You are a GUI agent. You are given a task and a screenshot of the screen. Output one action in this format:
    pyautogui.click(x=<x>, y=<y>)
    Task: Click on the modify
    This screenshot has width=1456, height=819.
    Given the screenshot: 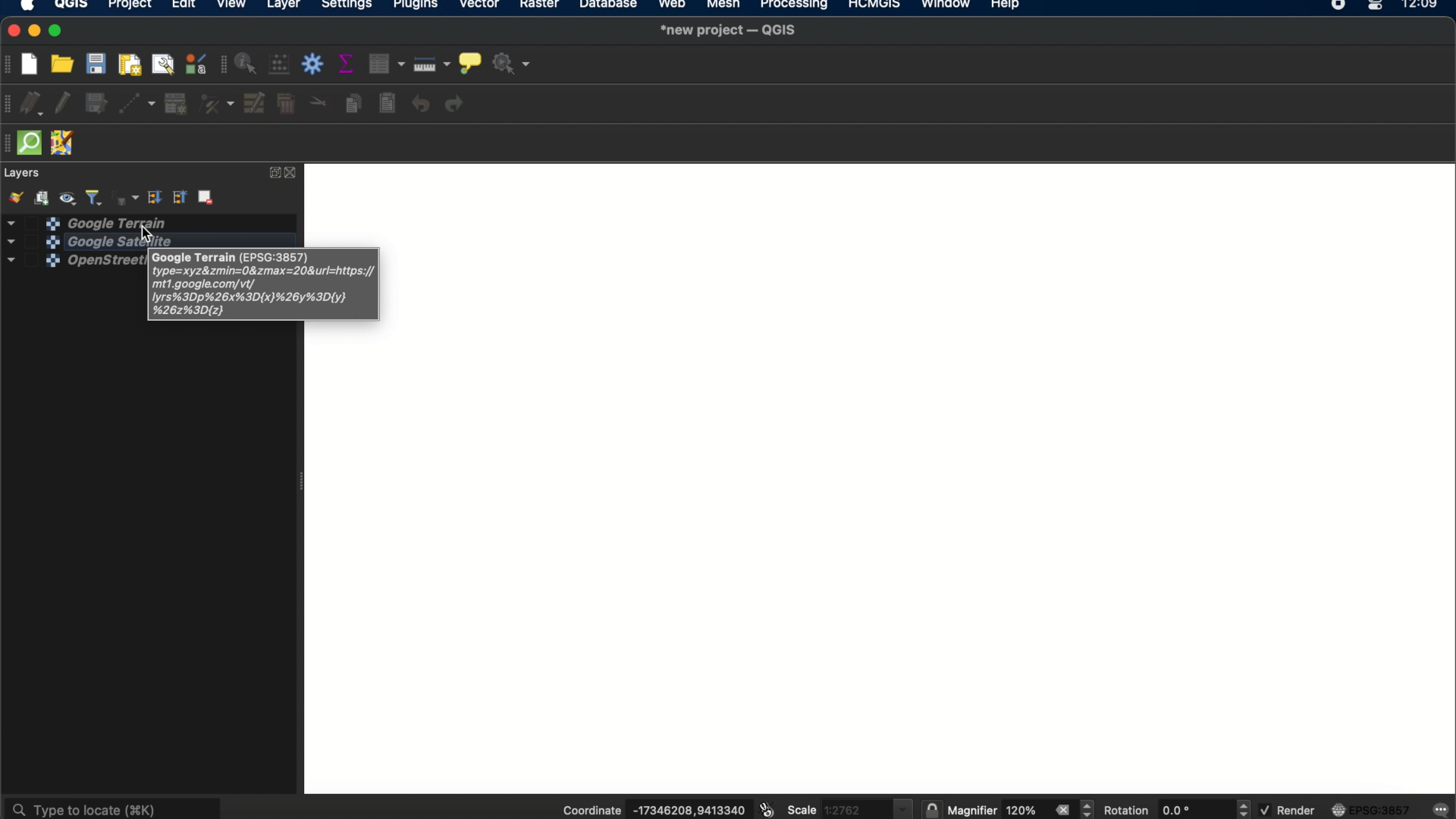 What is the action you would take?
    pyautogui.click(x=256, y=103)
    